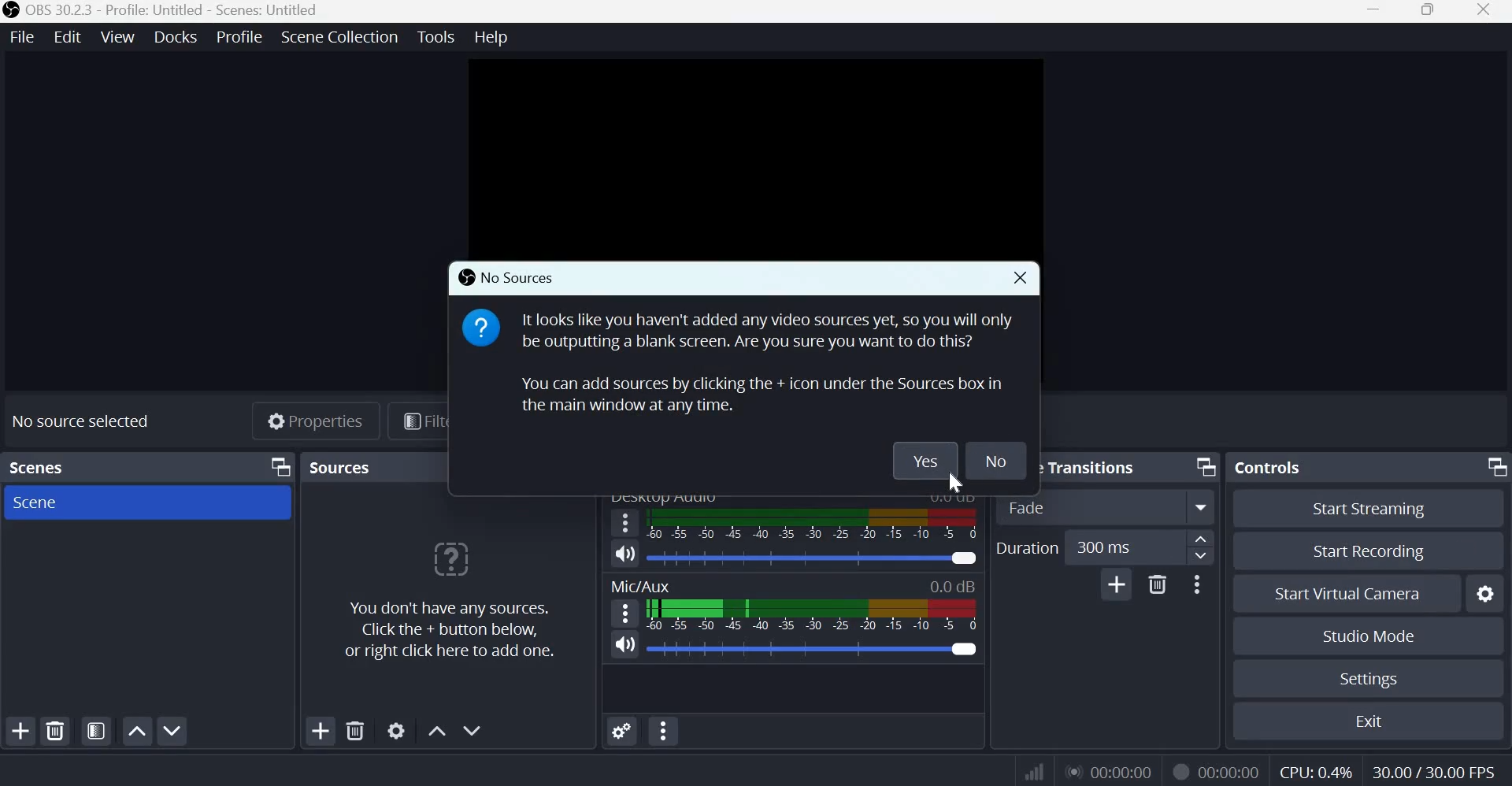 This screenshot has height=786, width=1512. Describe the element at coordinates (954, 484) in the screenshot. I see `cursor` at that location.